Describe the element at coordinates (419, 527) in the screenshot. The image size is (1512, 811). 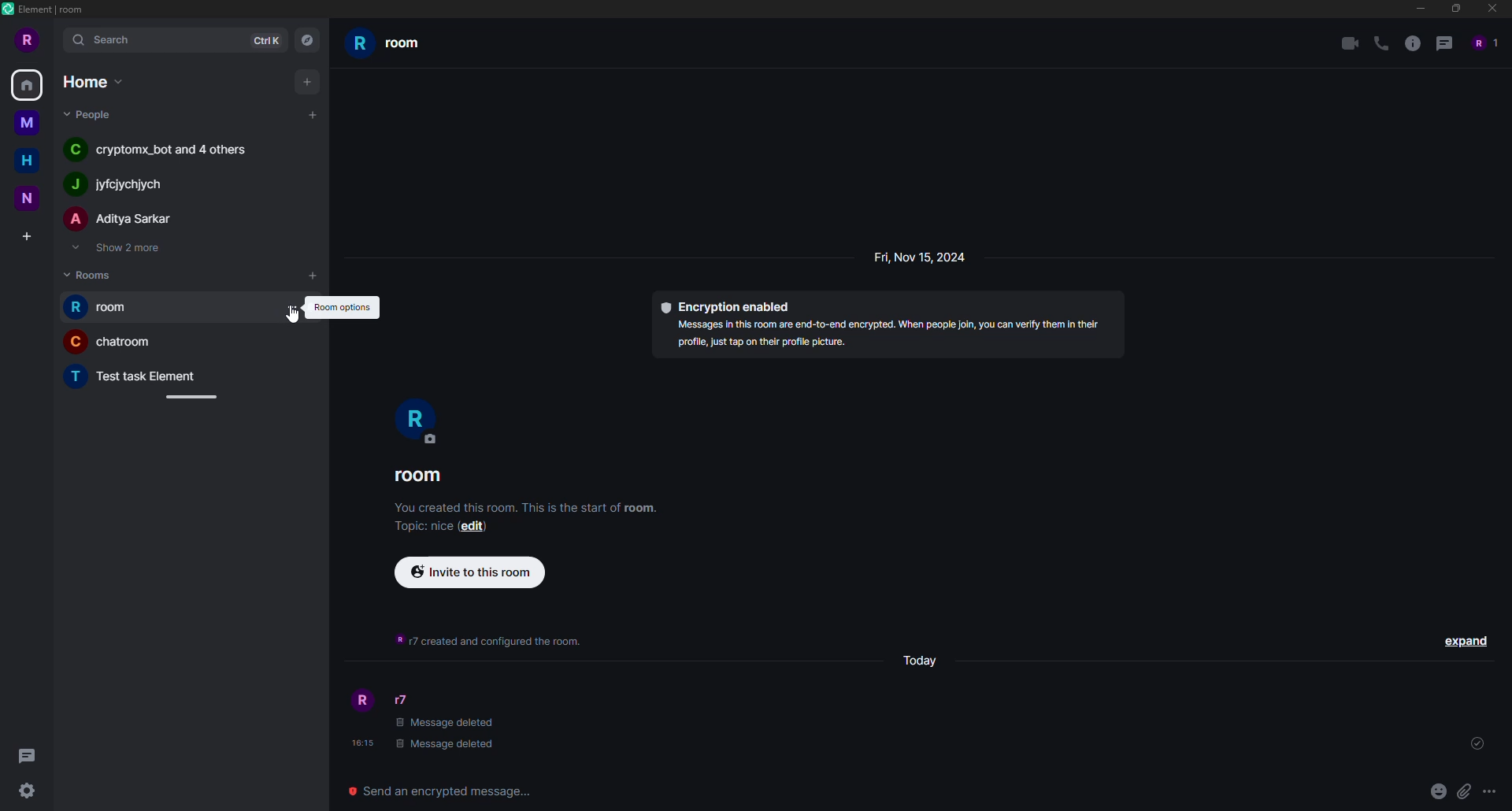
I see `topic` at that location.